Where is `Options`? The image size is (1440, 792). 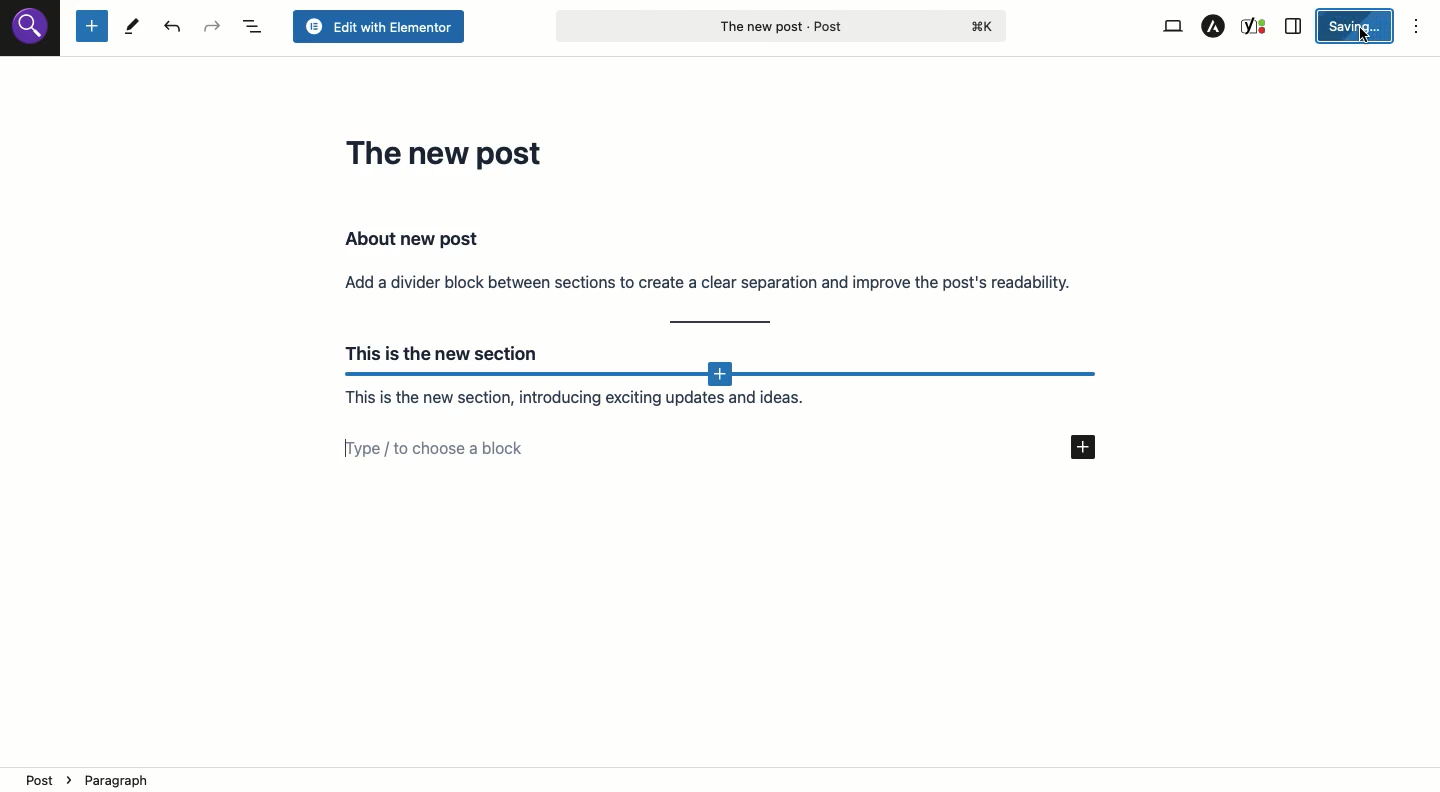 Options is located at coordinates (1416, 28).